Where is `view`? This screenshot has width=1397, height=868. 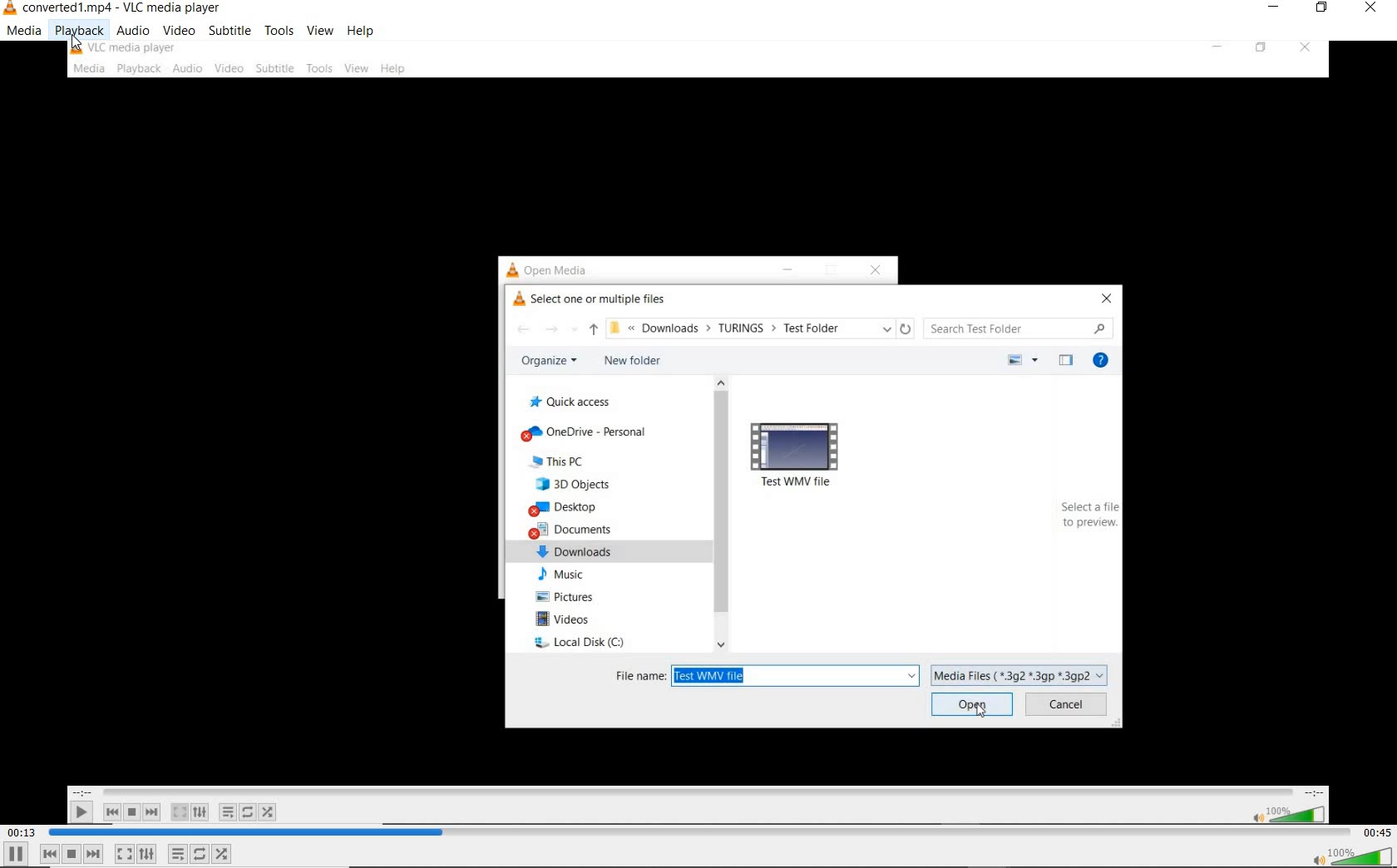 view is located at coordinates (321, 29).